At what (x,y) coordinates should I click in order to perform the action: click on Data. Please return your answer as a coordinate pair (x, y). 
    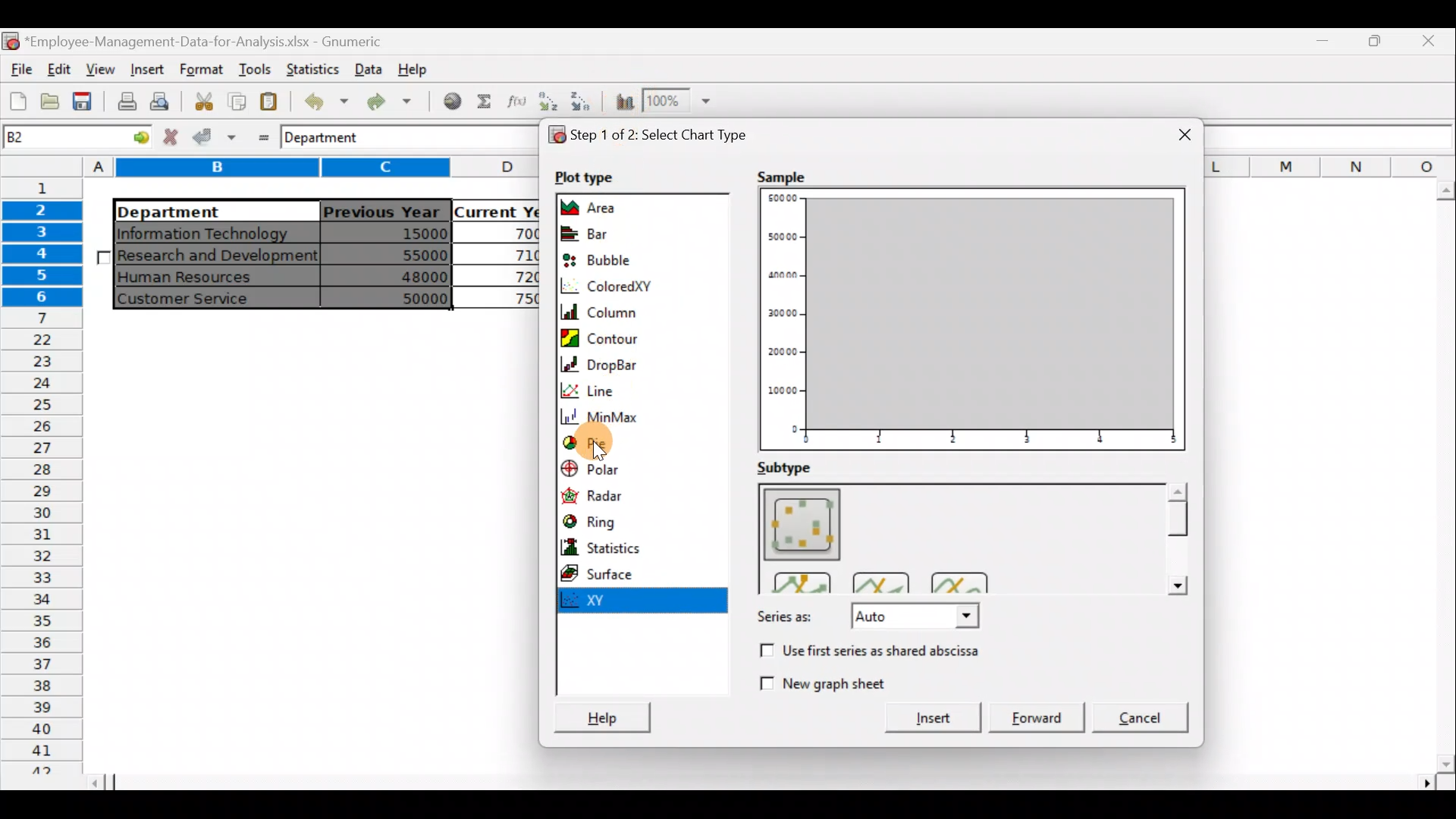
    Looking at the image, I should click on (368, 67).